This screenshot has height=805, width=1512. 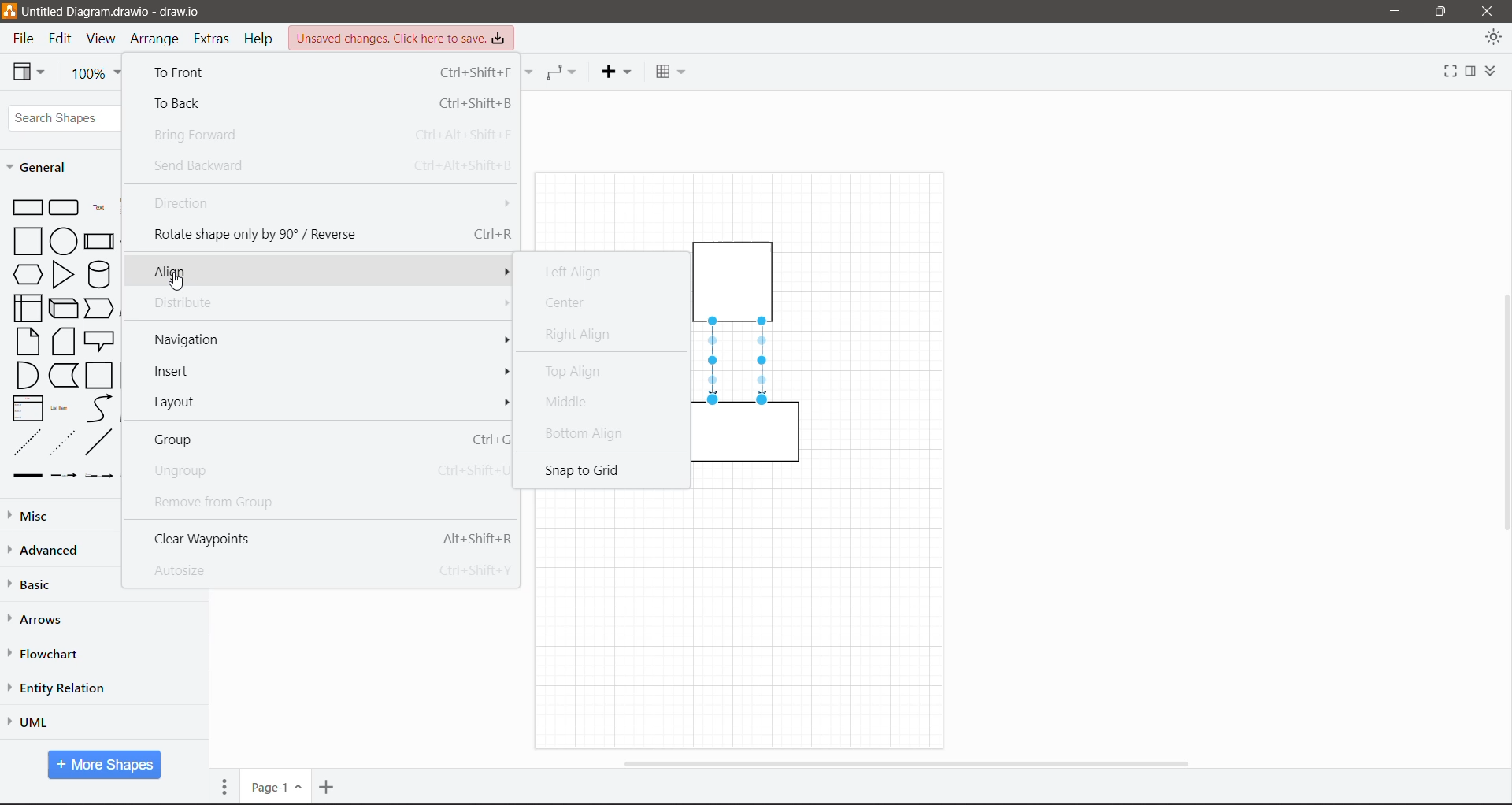 What do you see at coordinates (1444, 73) in the screenshot?
I see `Fullscreen` at bounding box center [1444, 73].